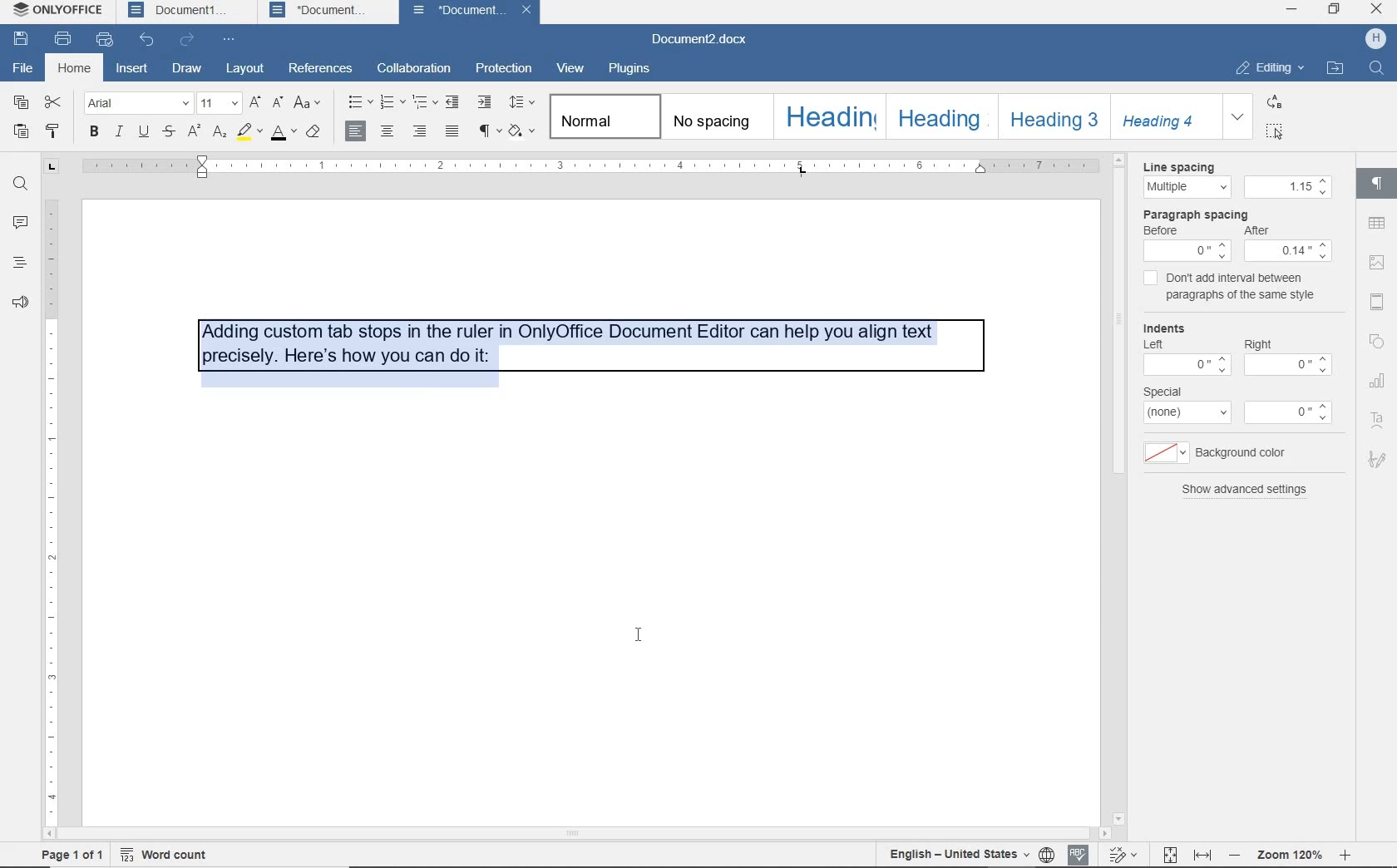  I want to click on bold, so click(95, 133).